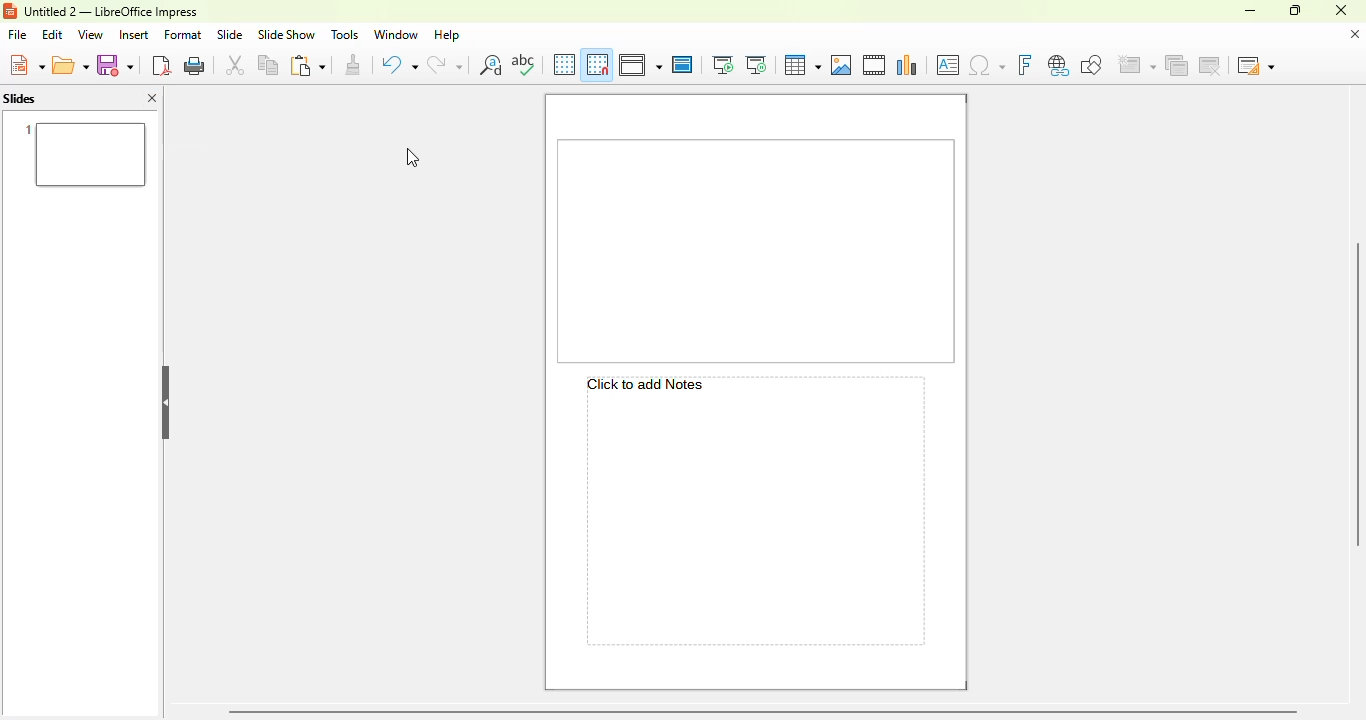  I want to click on cut, so click(236, 64).